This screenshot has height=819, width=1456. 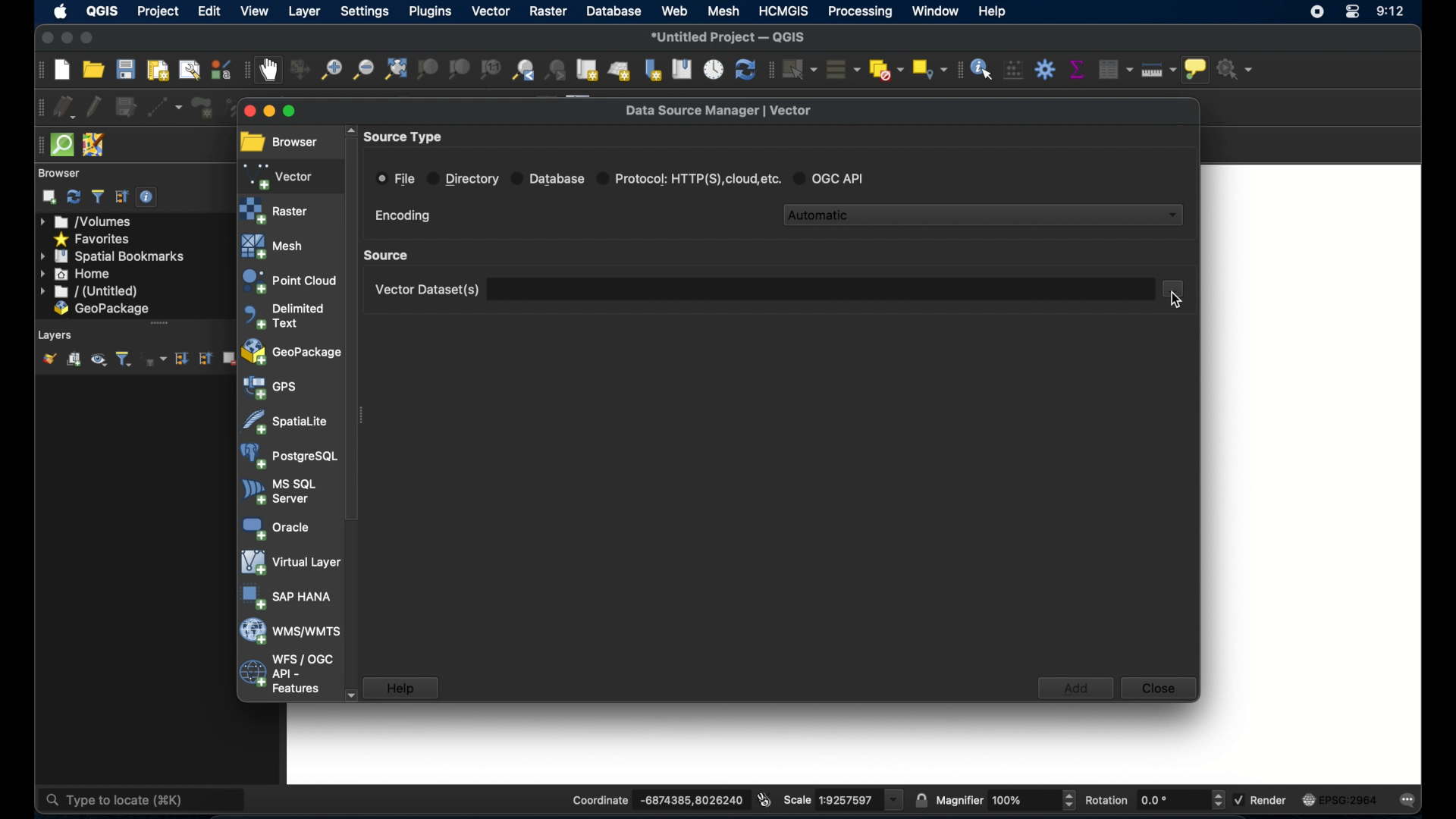 What do you see at coordinates (744, 69) in the screenshot?
I see `refresh` at bounding box center [744, 69].